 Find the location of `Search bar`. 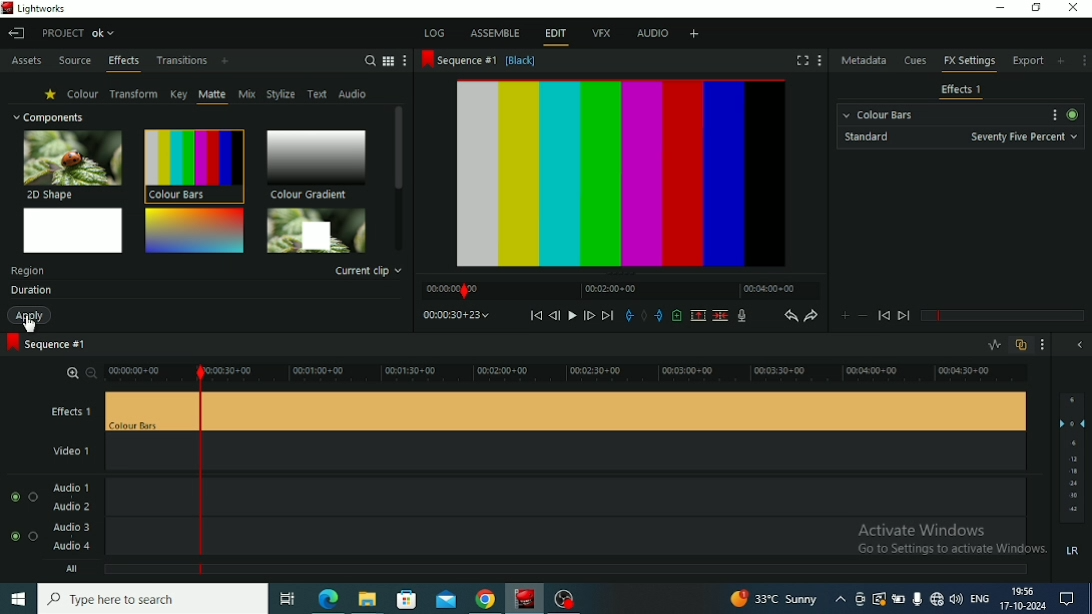

Search bar is located at coordinates (156, 599).